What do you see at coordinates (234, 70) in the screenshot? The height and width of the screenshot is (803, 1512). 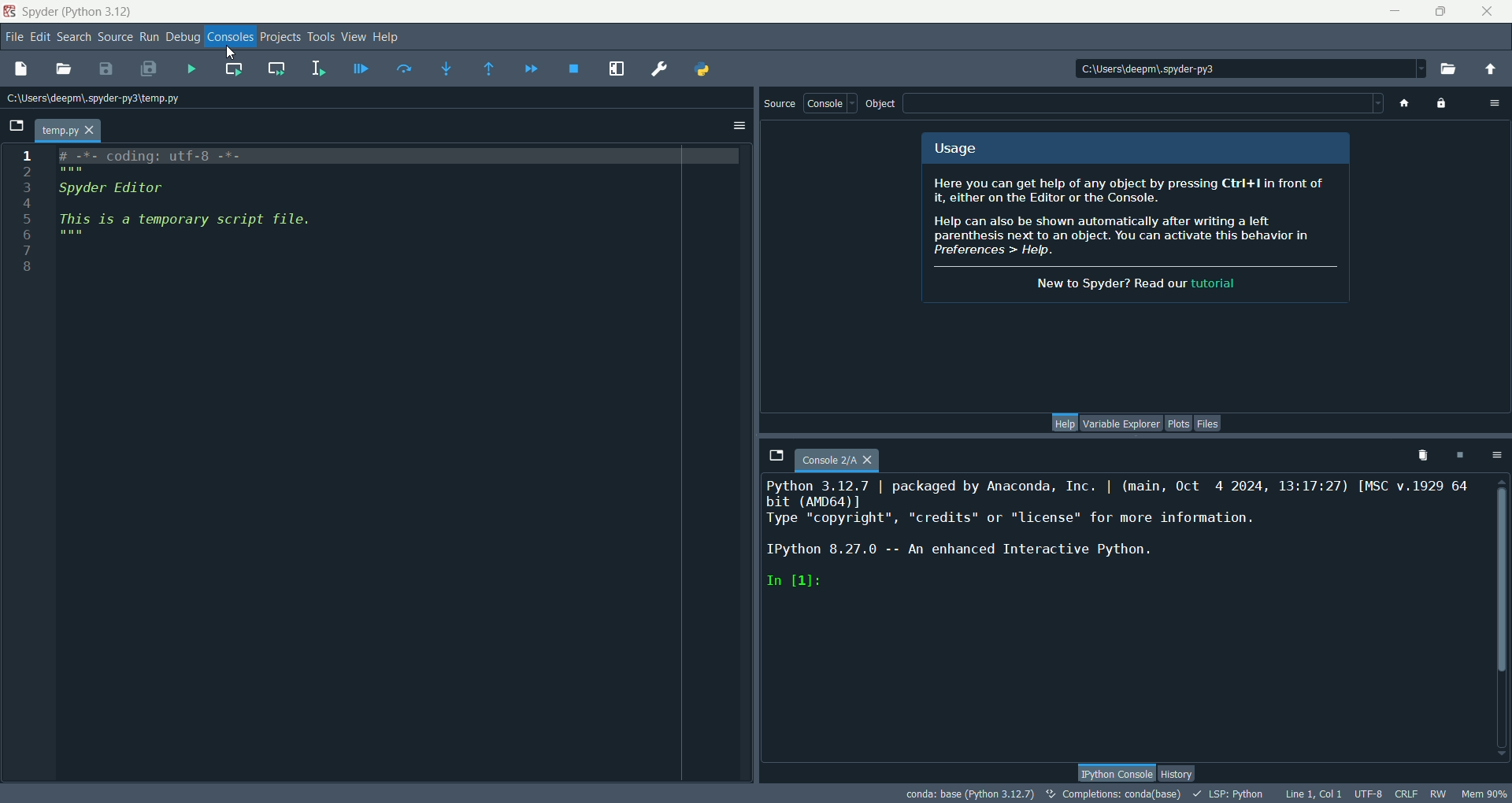 I see `run current cell` at bounding box center [234, 70].